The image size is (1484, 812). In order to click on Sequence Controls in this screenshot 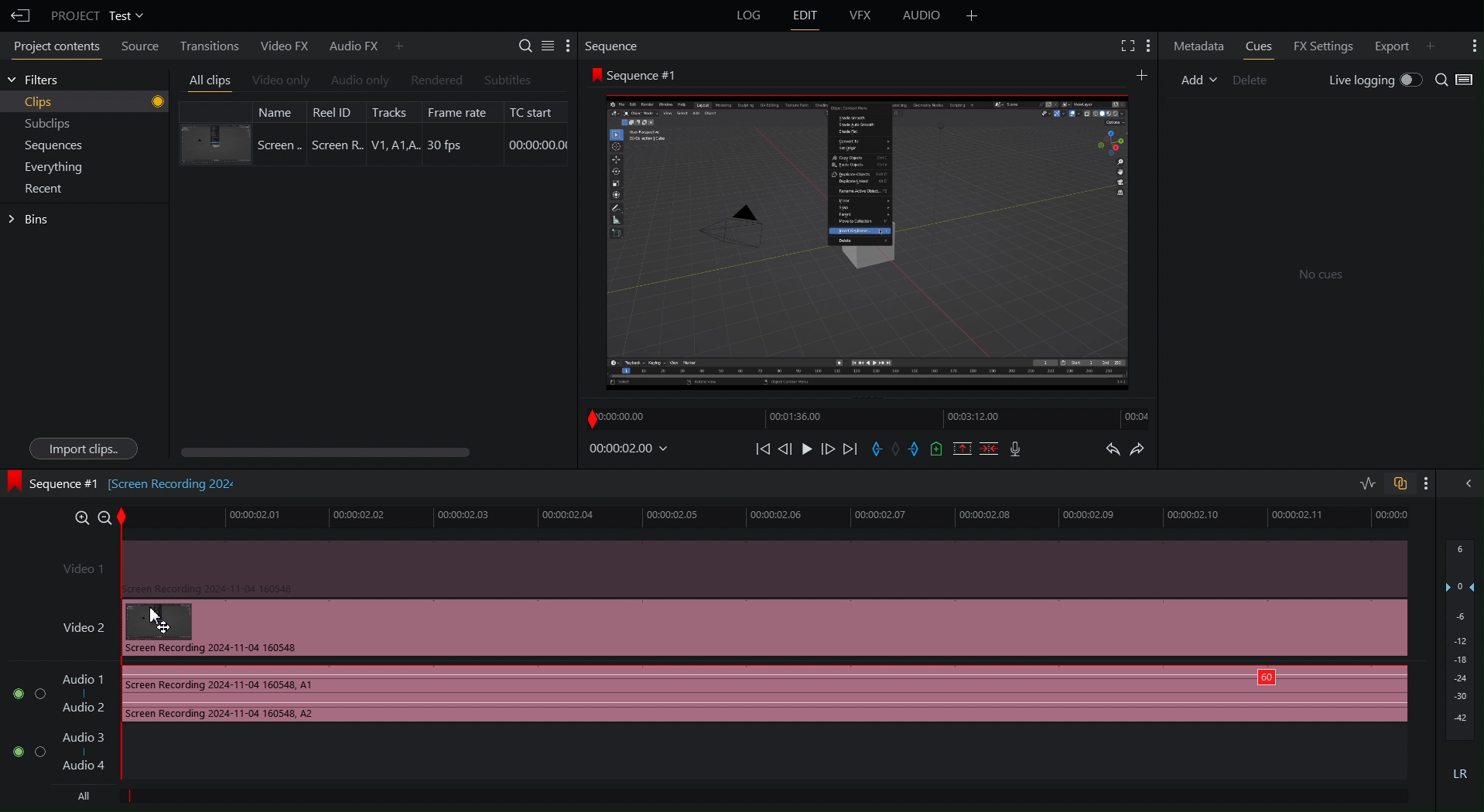, I will do `click(888, 449)`.